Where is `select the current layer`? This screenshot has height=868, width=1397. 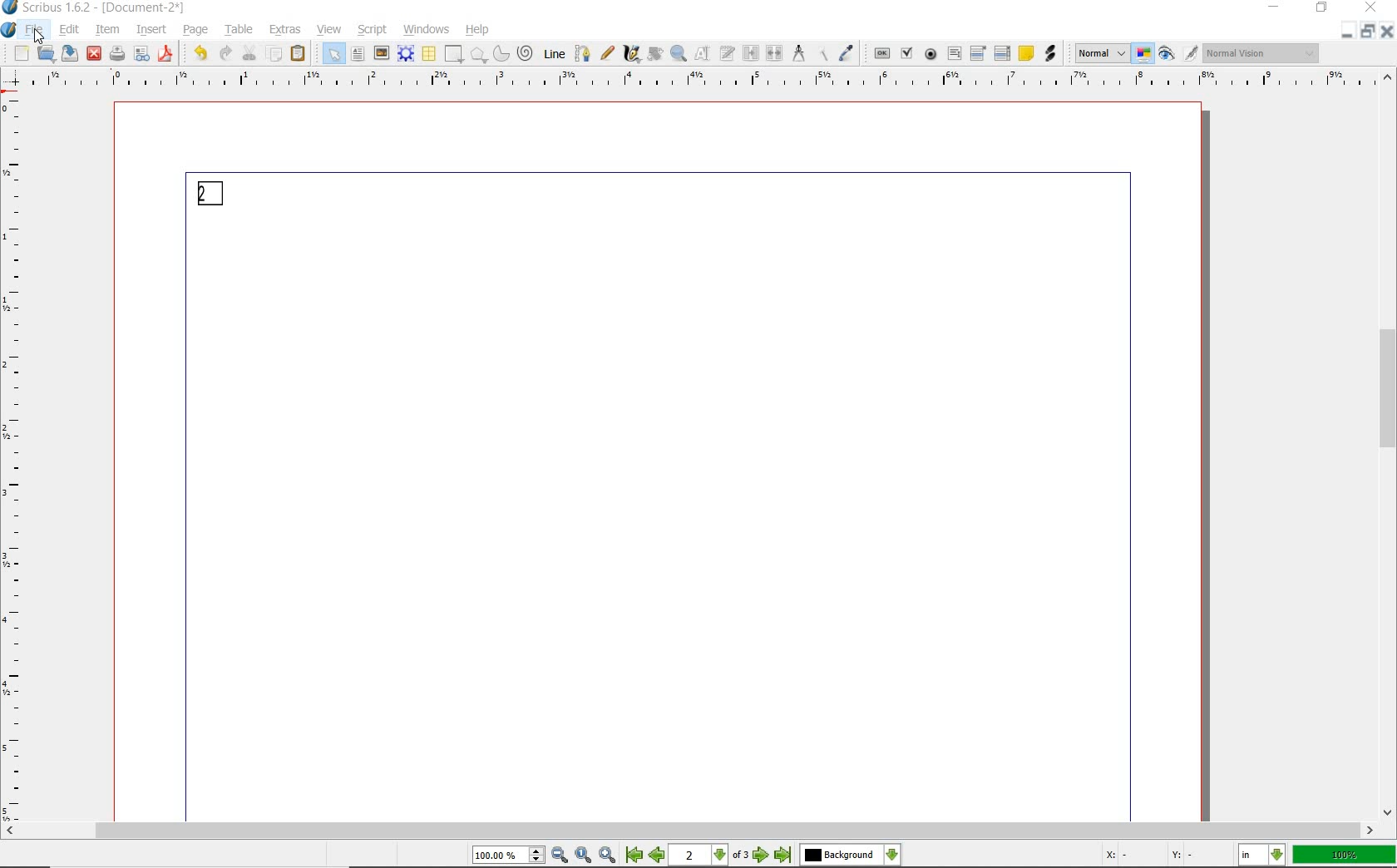
select the current layer is located at coordinates (850, 856).